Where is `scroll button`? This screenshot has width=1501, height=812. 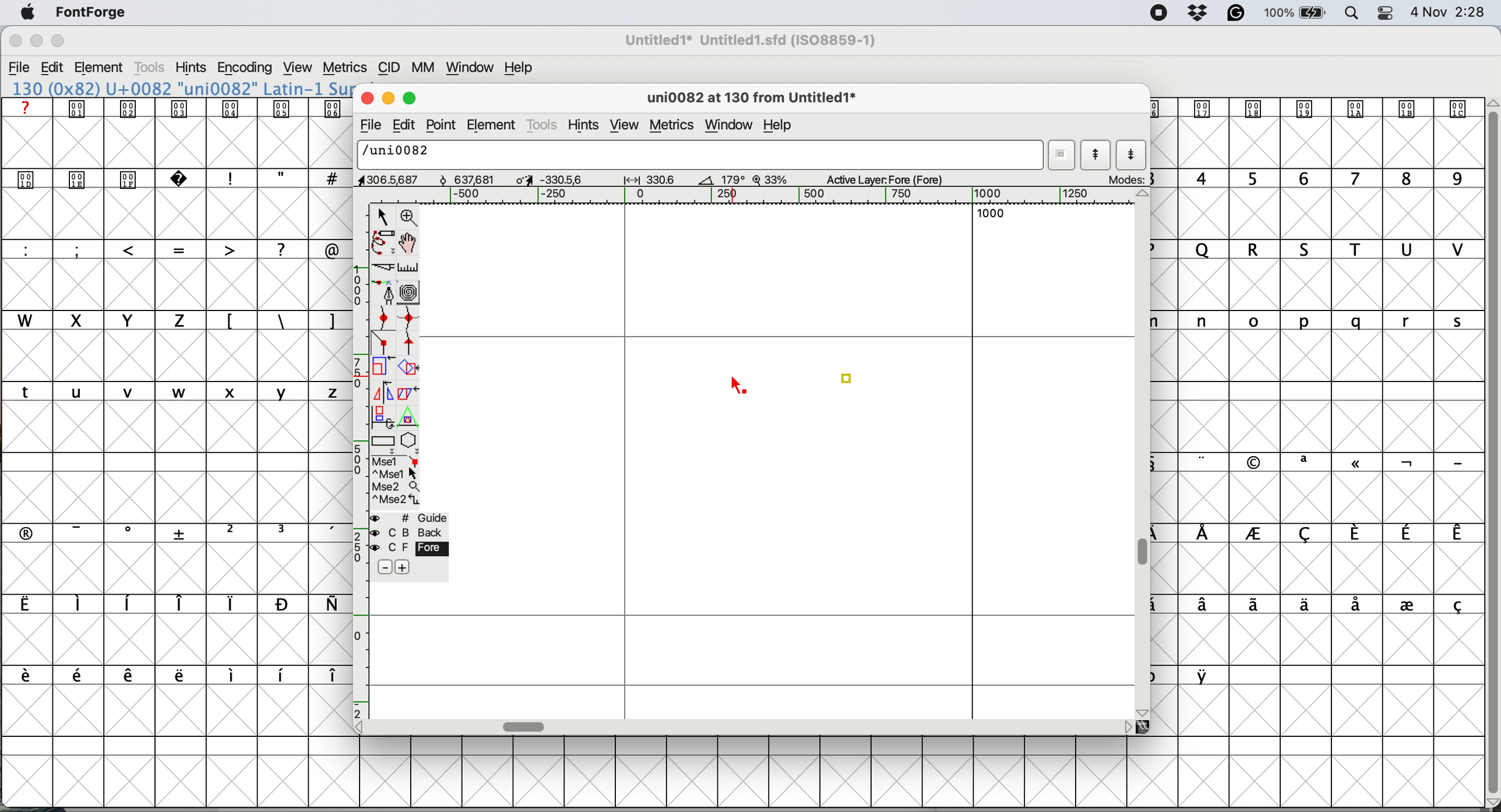
scroll button is located at coordinates (1127, 726).